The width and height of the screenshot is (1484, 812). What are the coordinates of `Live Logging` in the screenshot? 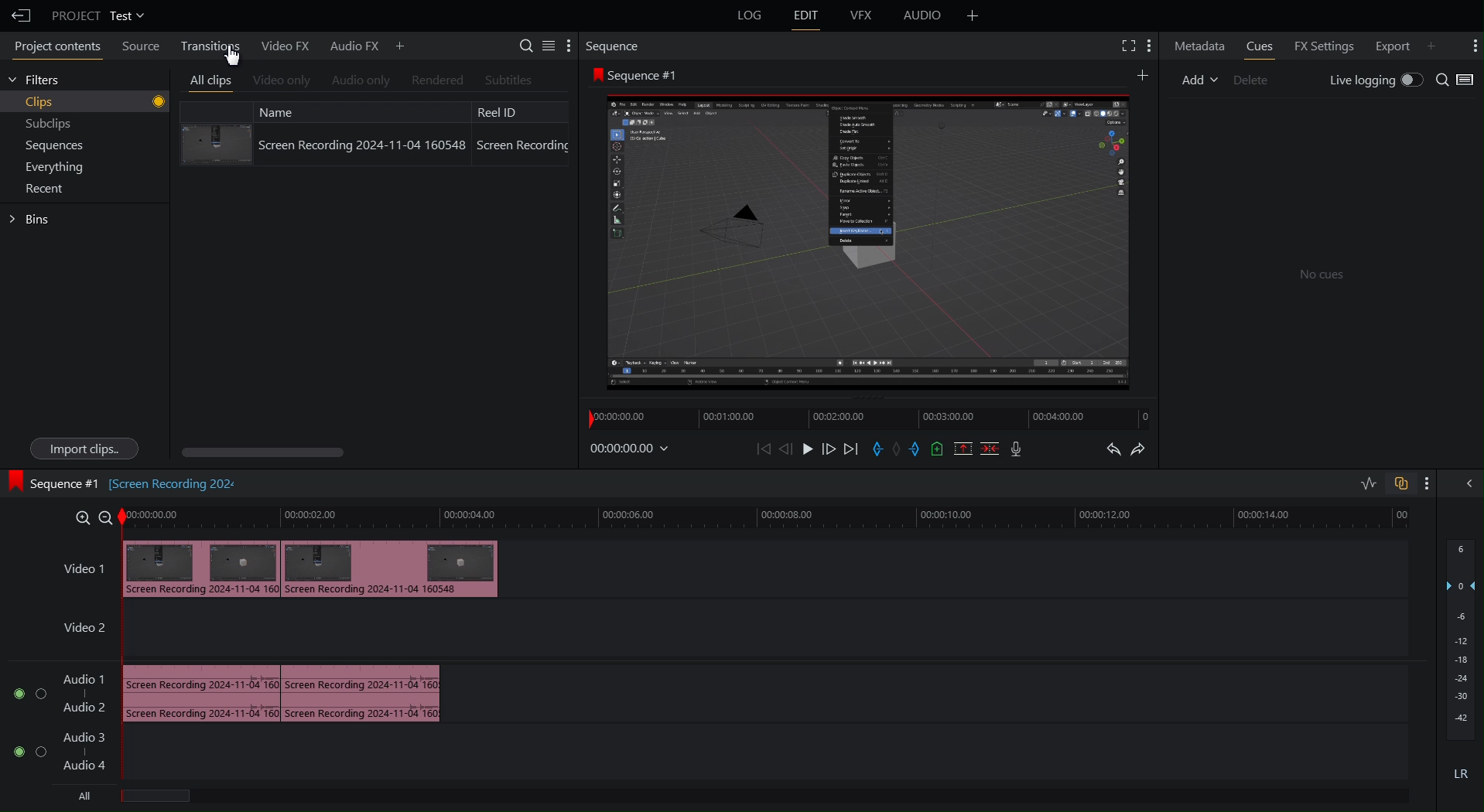 It's located at (1373, 80).